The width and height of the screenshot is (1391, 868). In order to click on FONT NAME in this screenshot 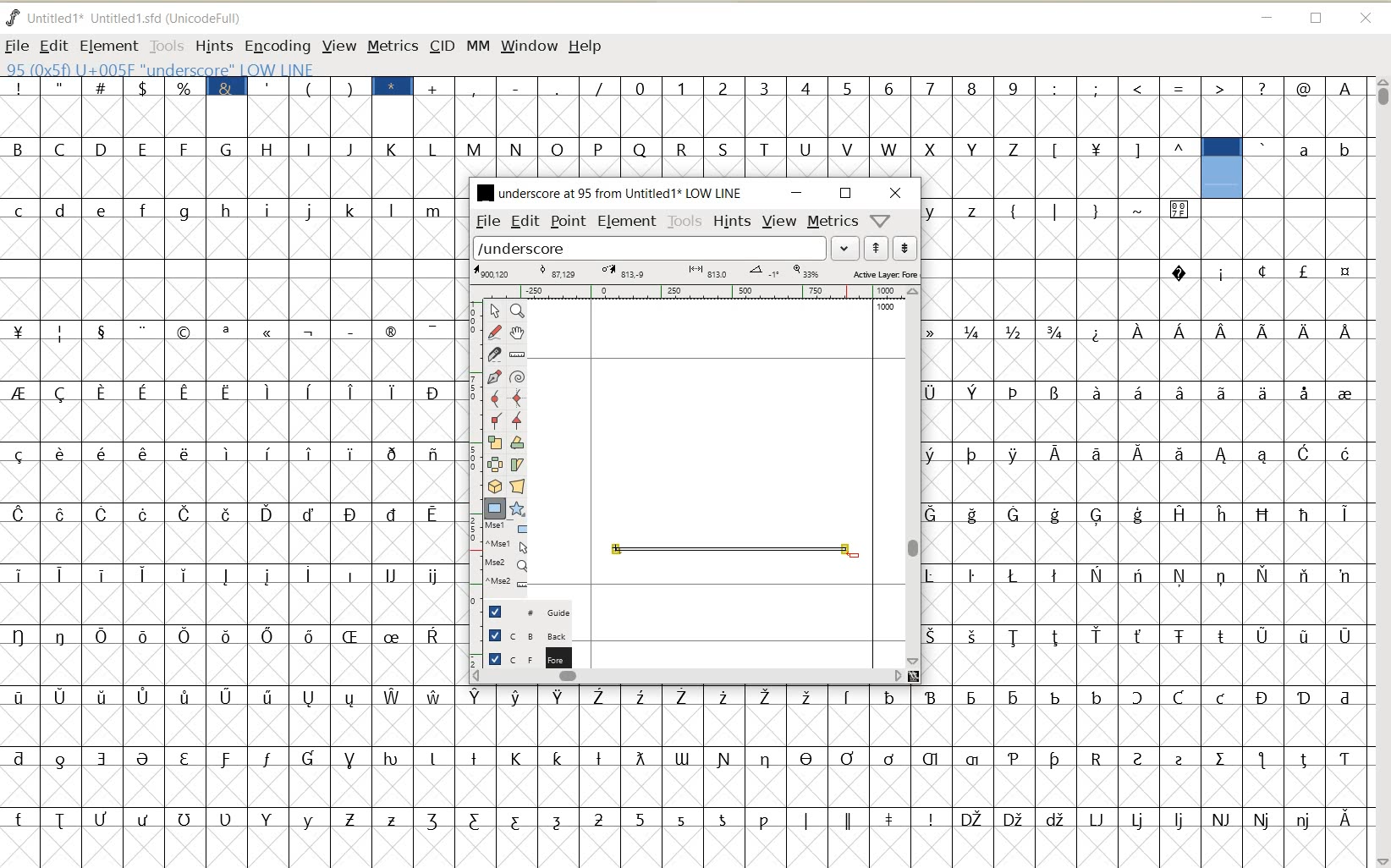, I will do `click(138, 18)`.